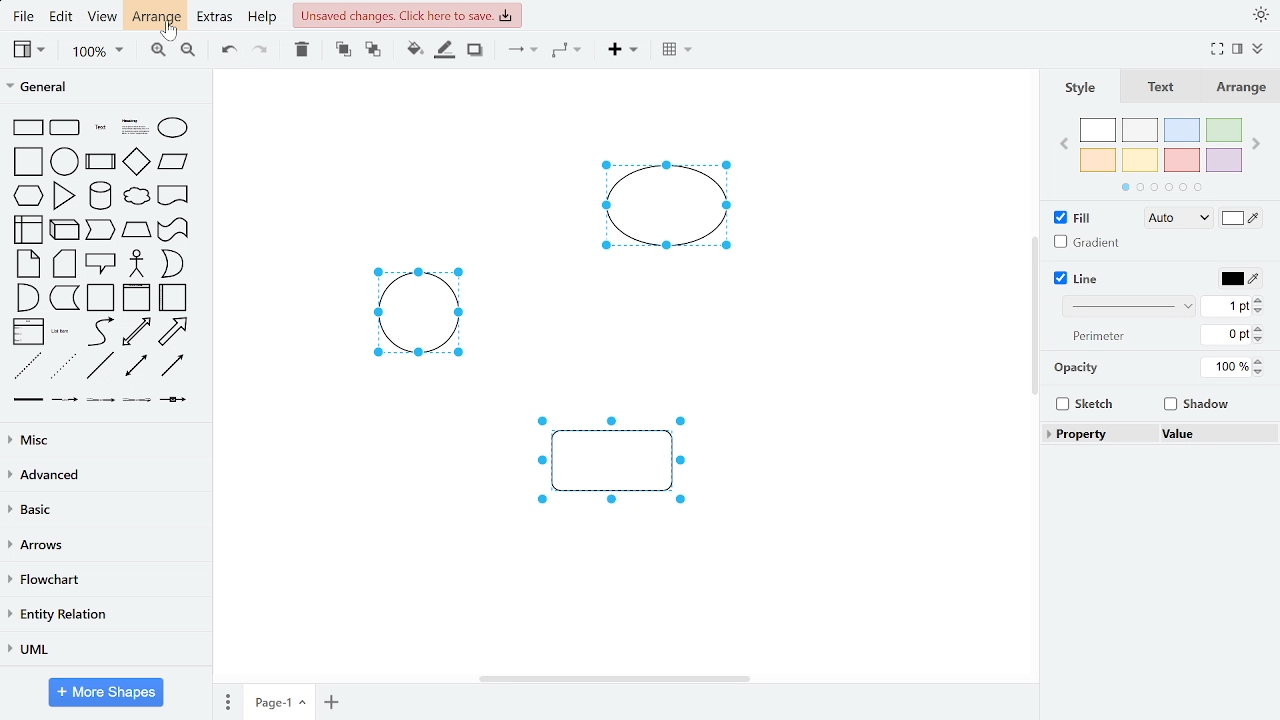 This screenshot has height=720, width=1280. What do you see at coordinates (1140, 129) in the screenshot?
I see `ash` at bounding box center [1140, 129].